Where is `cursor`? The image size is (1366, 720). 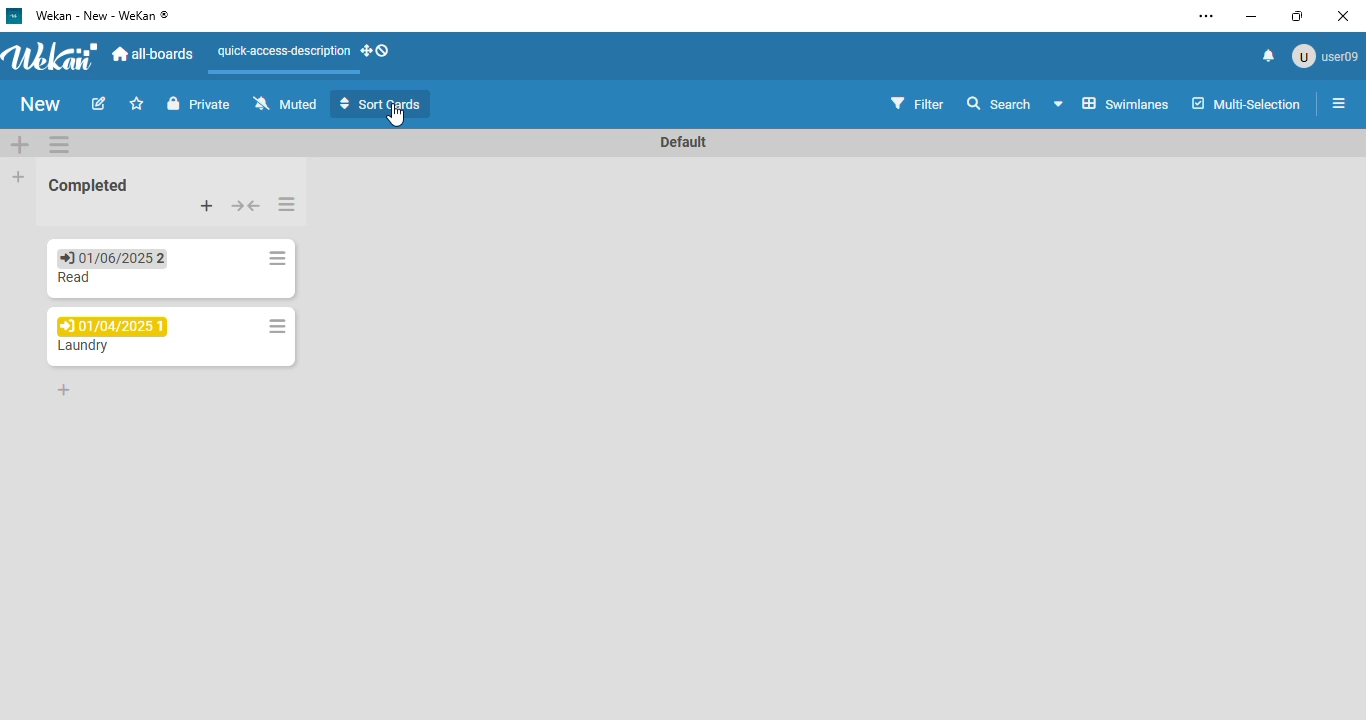
cursor is located at coordinates (395, 116).